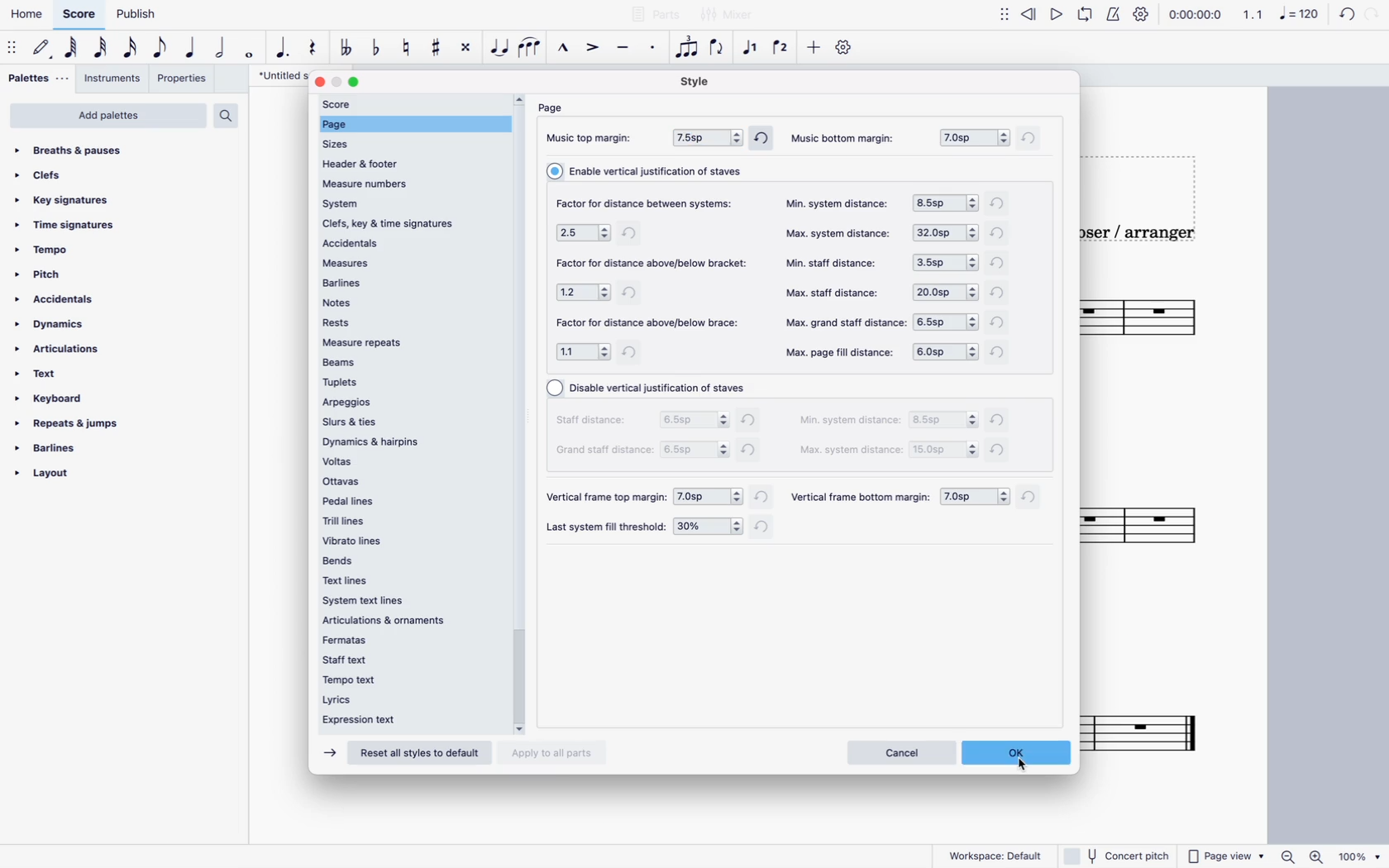  I want to click on toggle double flat, so click(348, 50).